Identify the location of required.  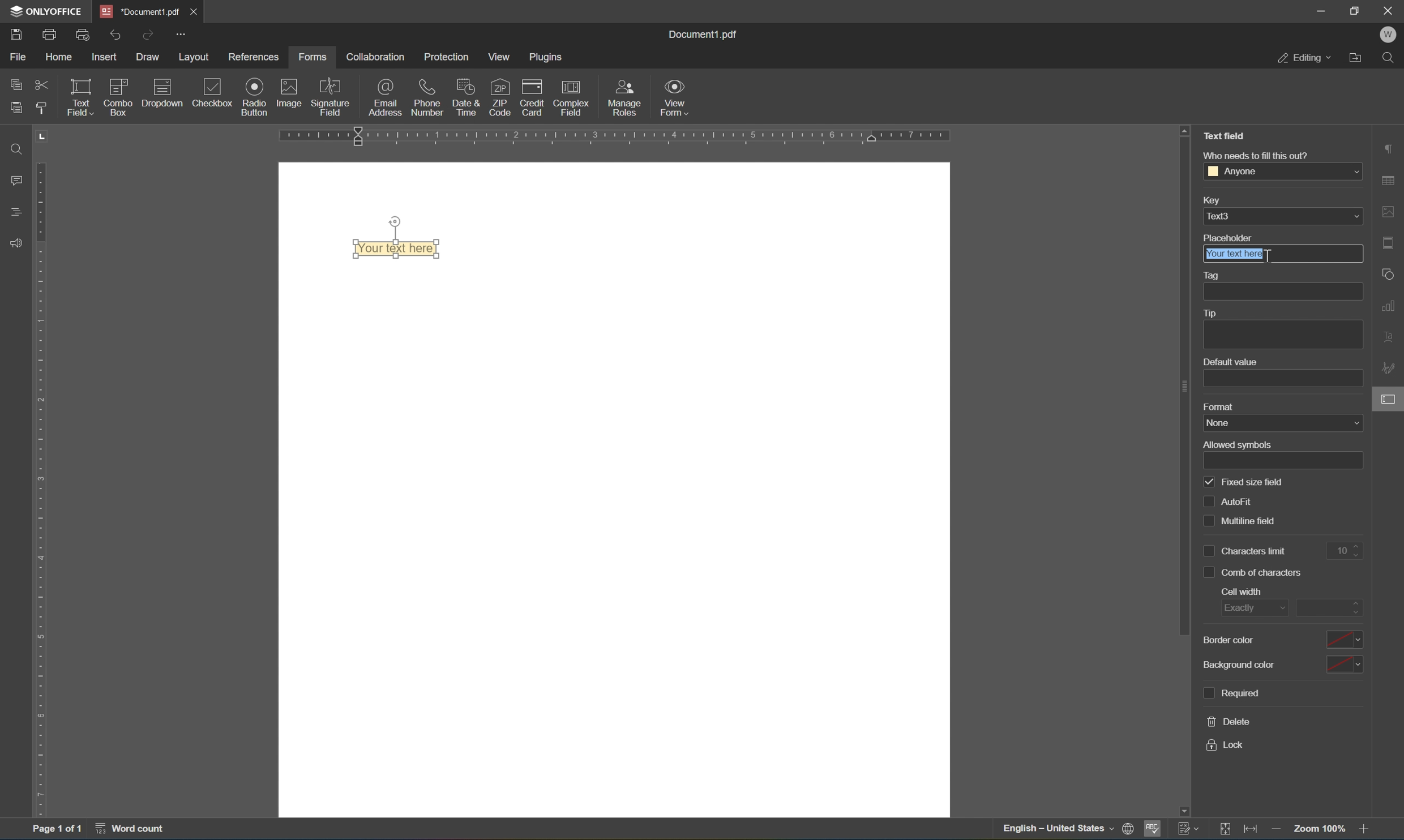
(1234, 693).